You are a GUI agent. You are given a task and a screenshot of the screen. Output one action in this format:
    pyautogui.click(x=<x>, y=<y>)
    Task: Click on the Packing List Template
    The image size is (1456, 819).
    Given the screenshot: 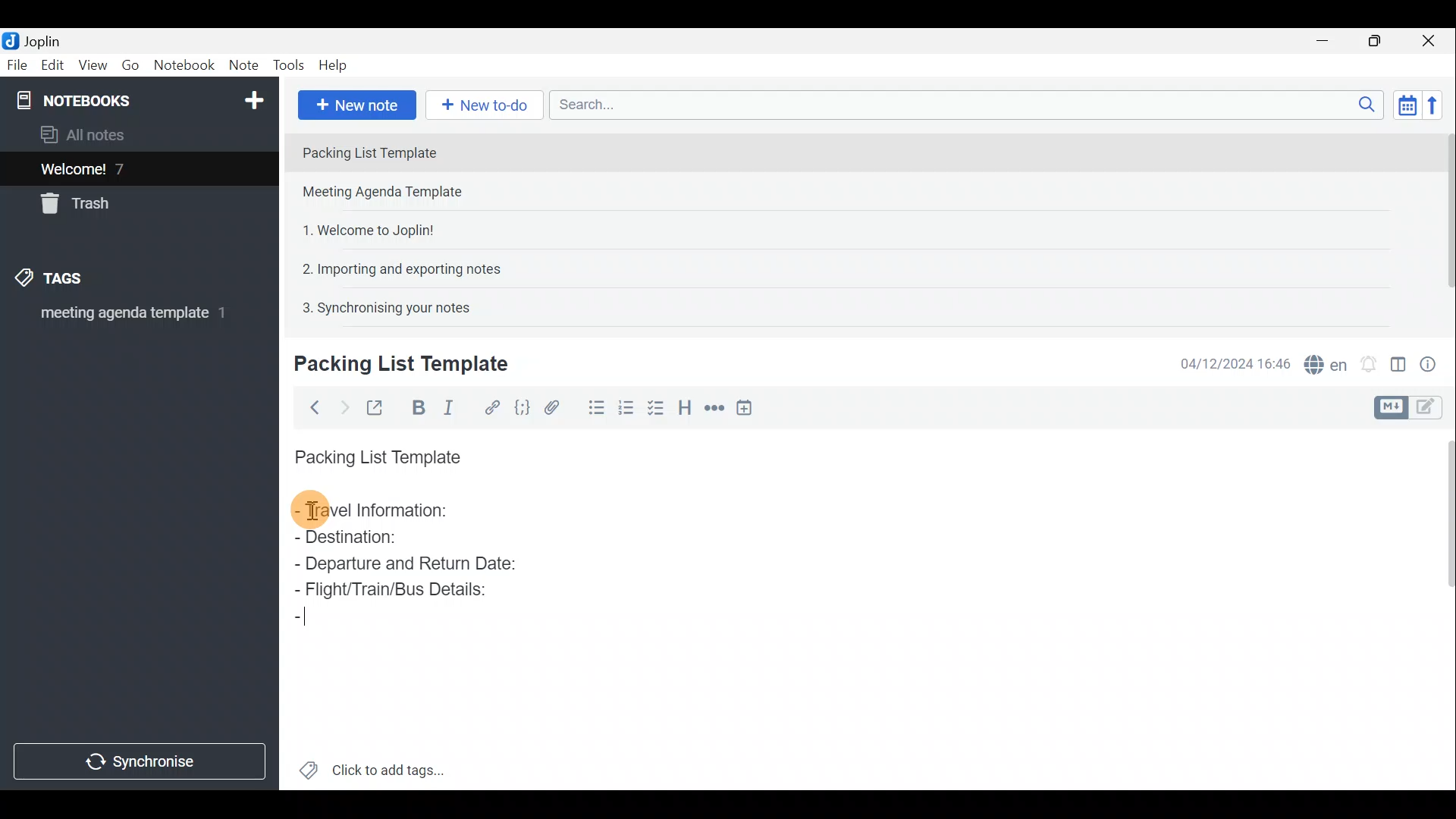 What is the action you would take?
    pyautogui.click(x=375, y=453)
    